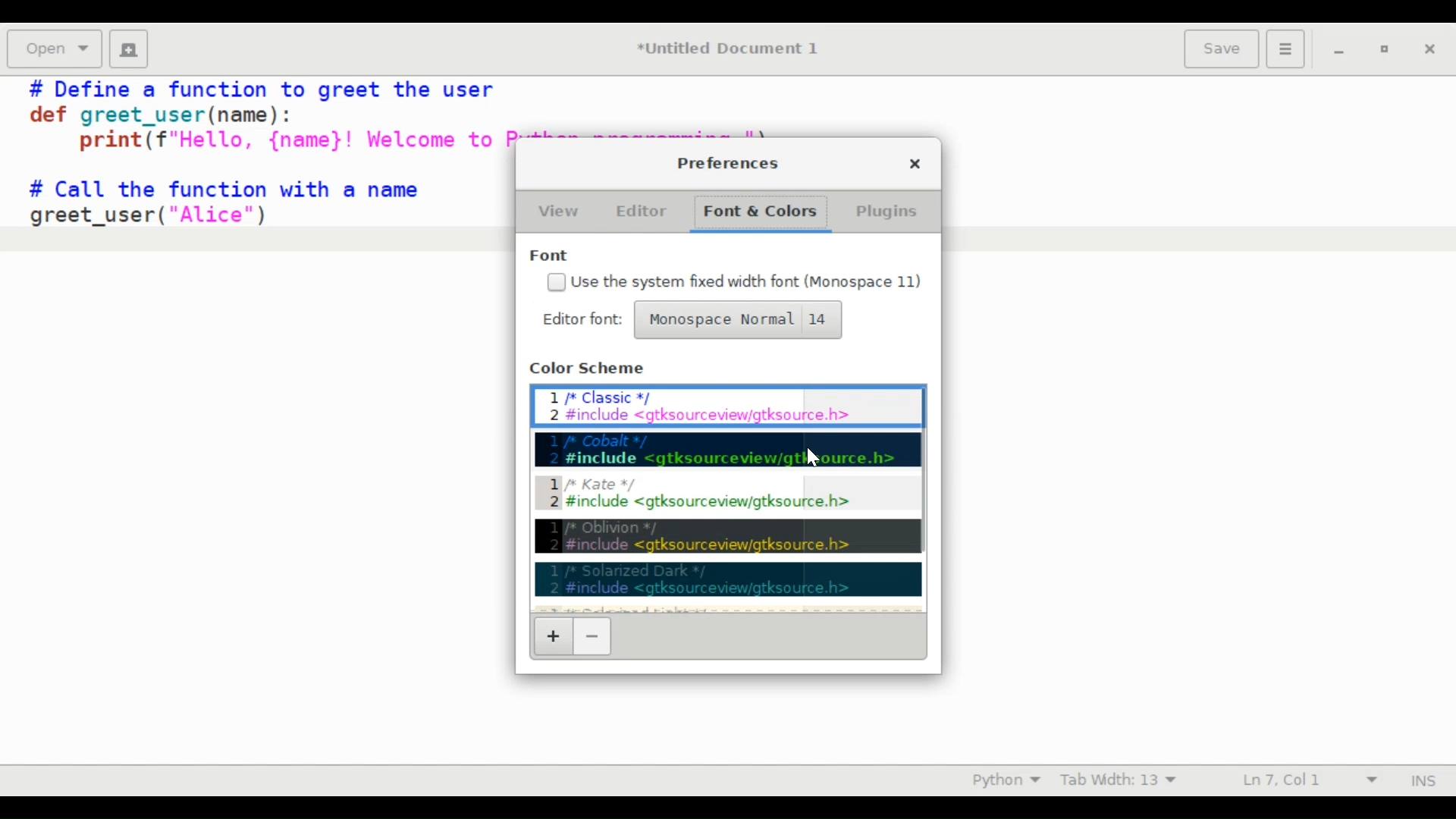 The height and width of the screenshot is (819, 1456). Describe the element at coordinates (254, 172) in the screenshot. I see `Code` at that location.